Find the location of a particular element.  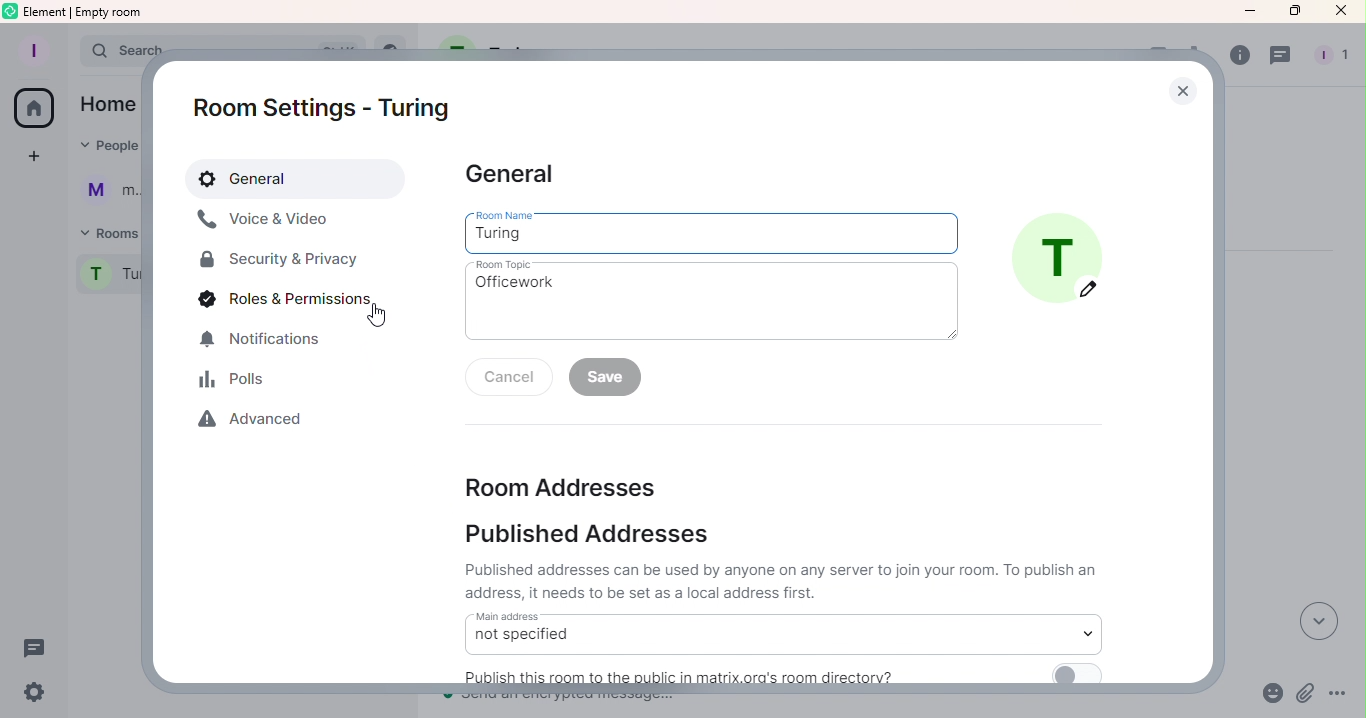

people is located at coordinates (1332, 56).